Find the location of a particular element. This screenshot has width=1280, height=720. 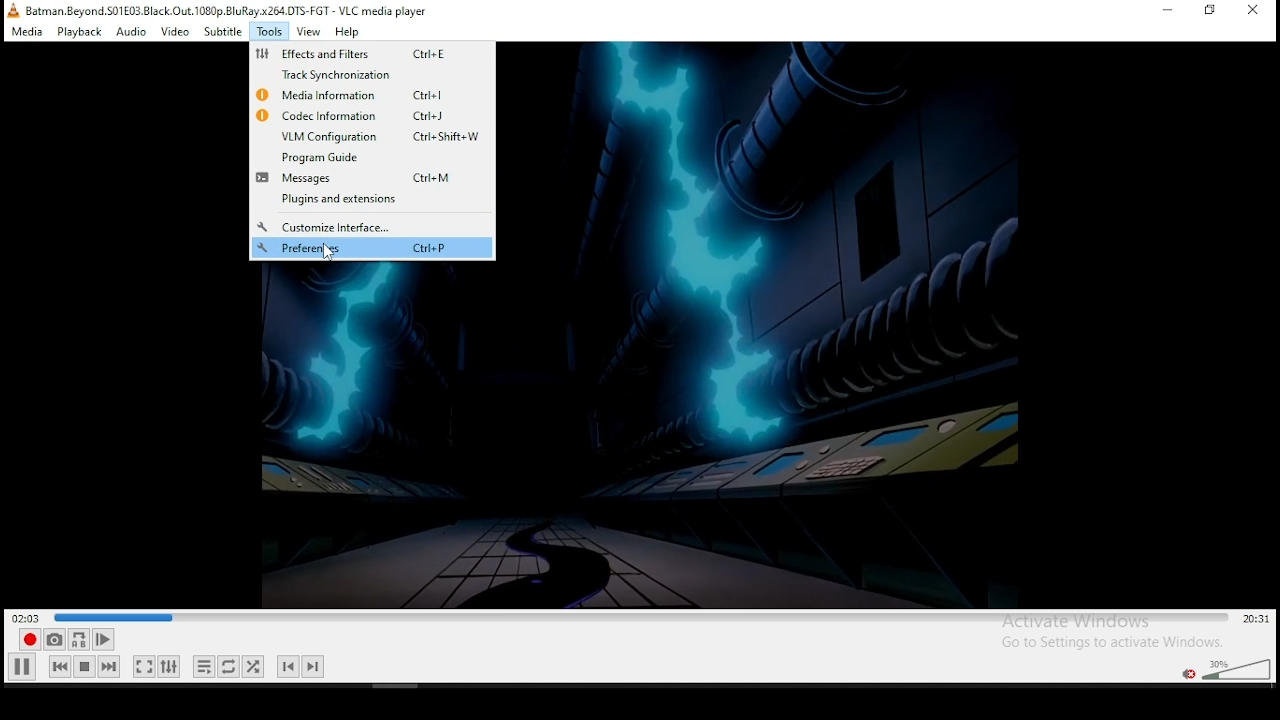

program guide is located at coordinates (372, 158).